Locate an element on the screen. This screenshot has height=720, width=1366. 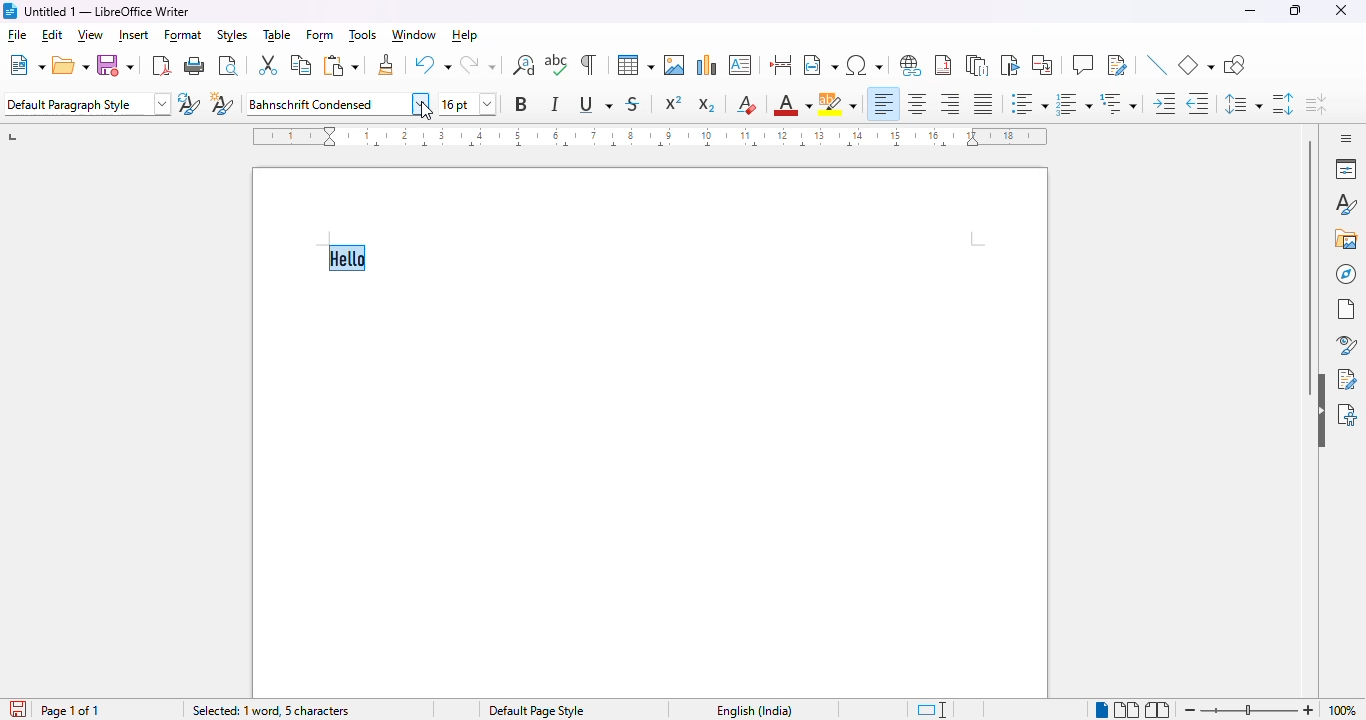
show track changes functions is located at coordinates (1118, 65).